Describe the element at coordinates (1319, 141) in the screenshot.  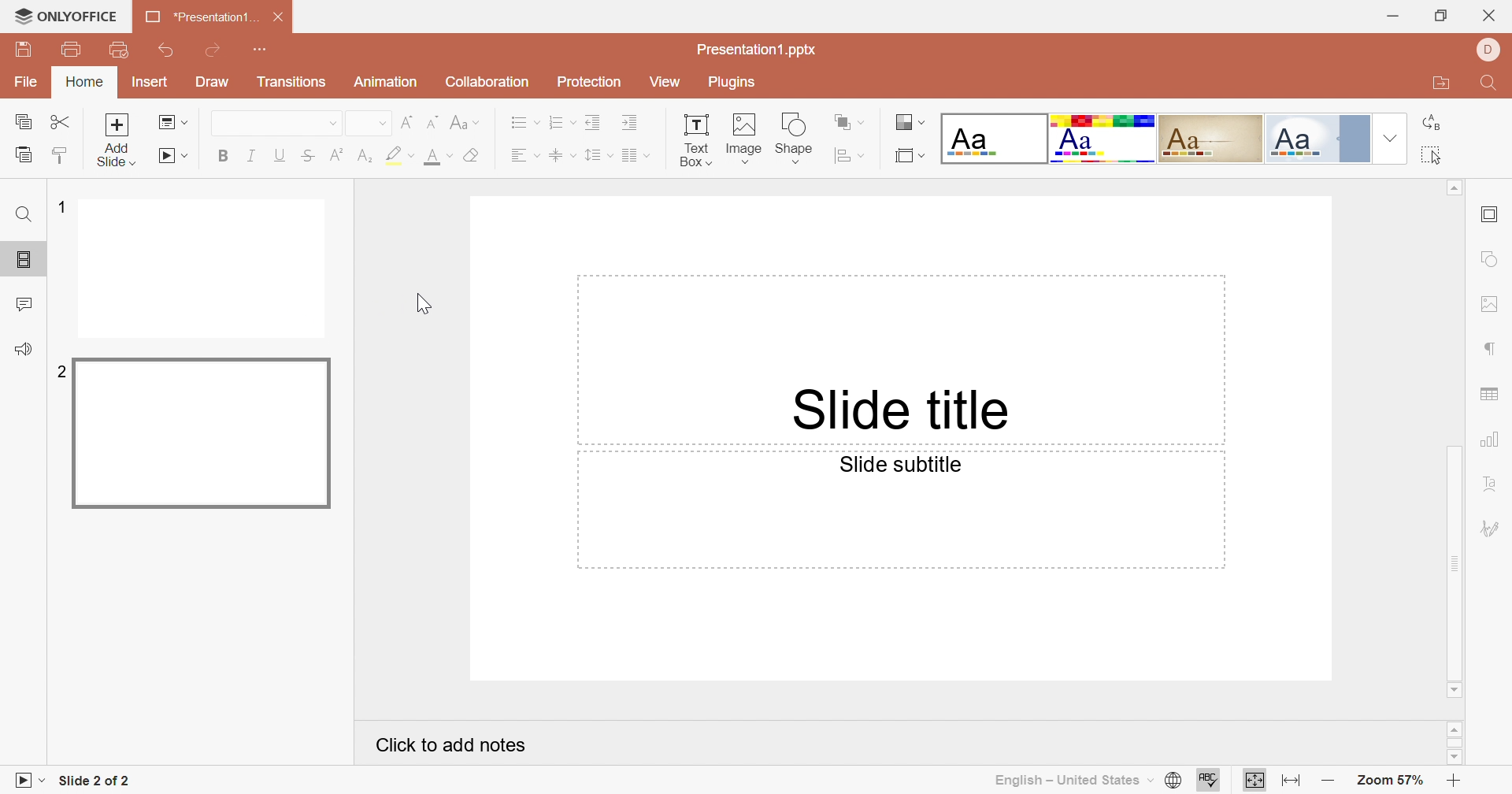
I see `Official` at that location.